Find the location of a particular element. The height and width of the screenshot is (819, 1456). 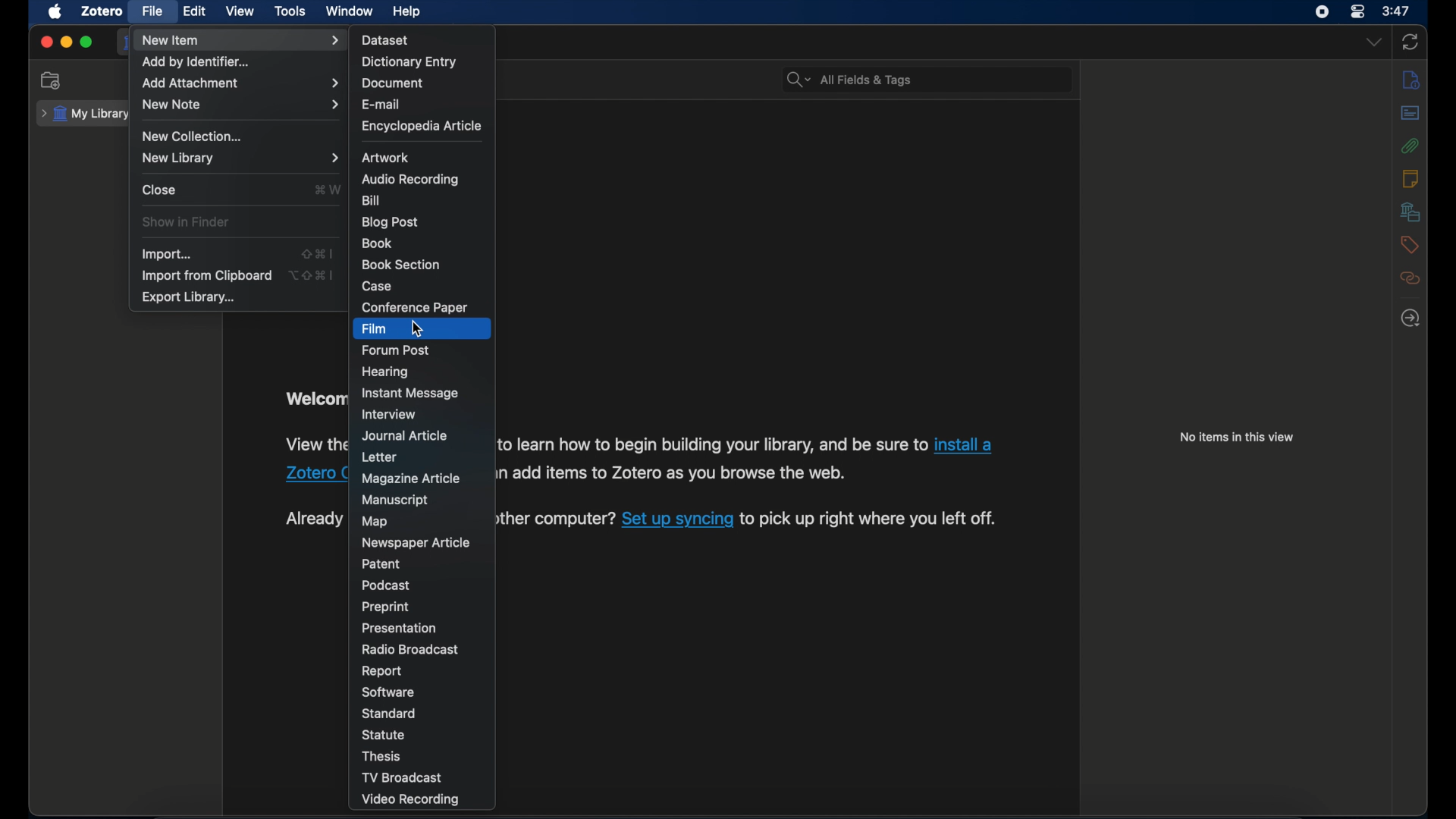

new item is located at coordinates (240, 40).